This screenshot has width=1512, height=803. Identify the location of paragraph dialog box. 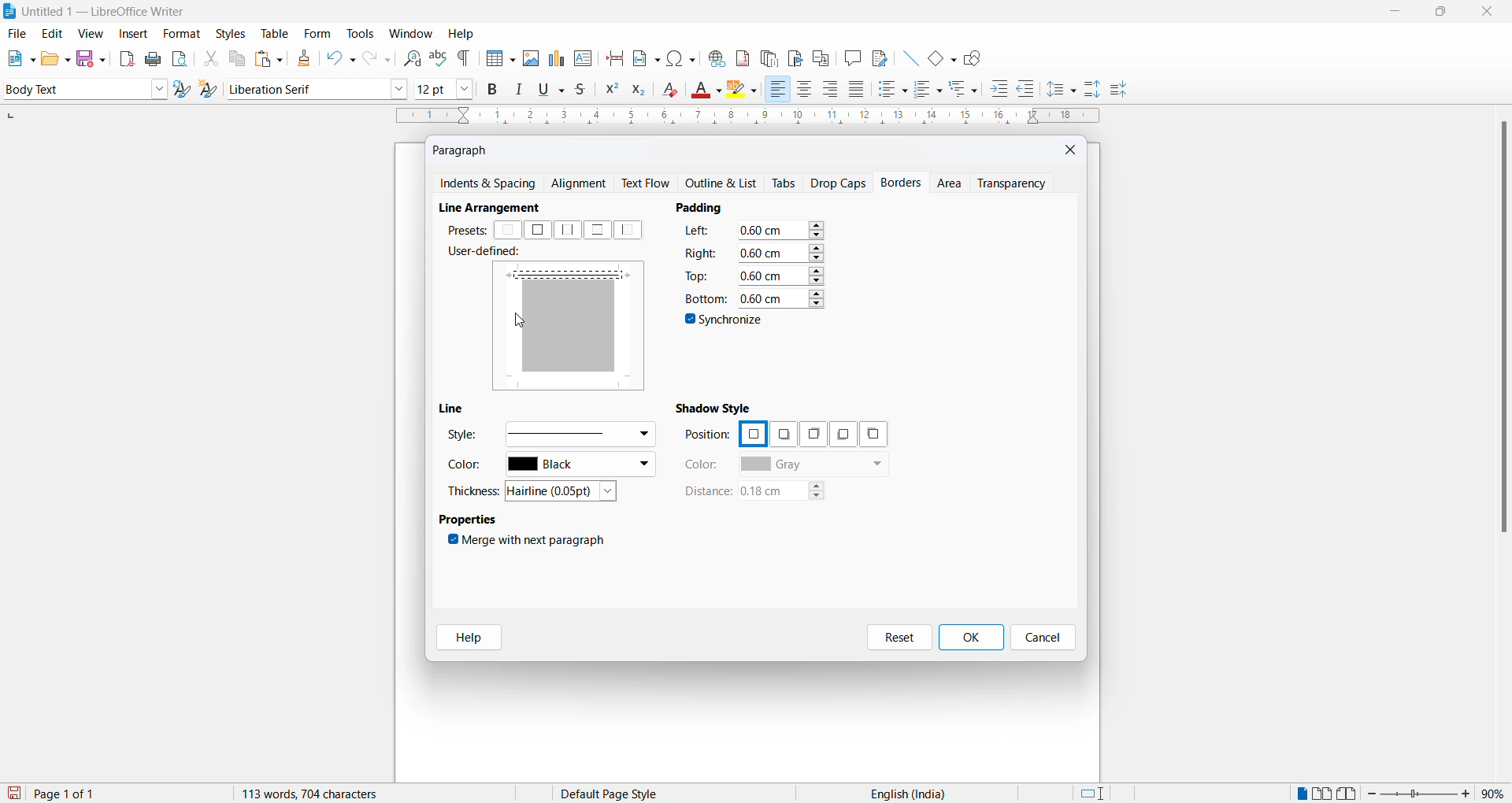
(464, 150).